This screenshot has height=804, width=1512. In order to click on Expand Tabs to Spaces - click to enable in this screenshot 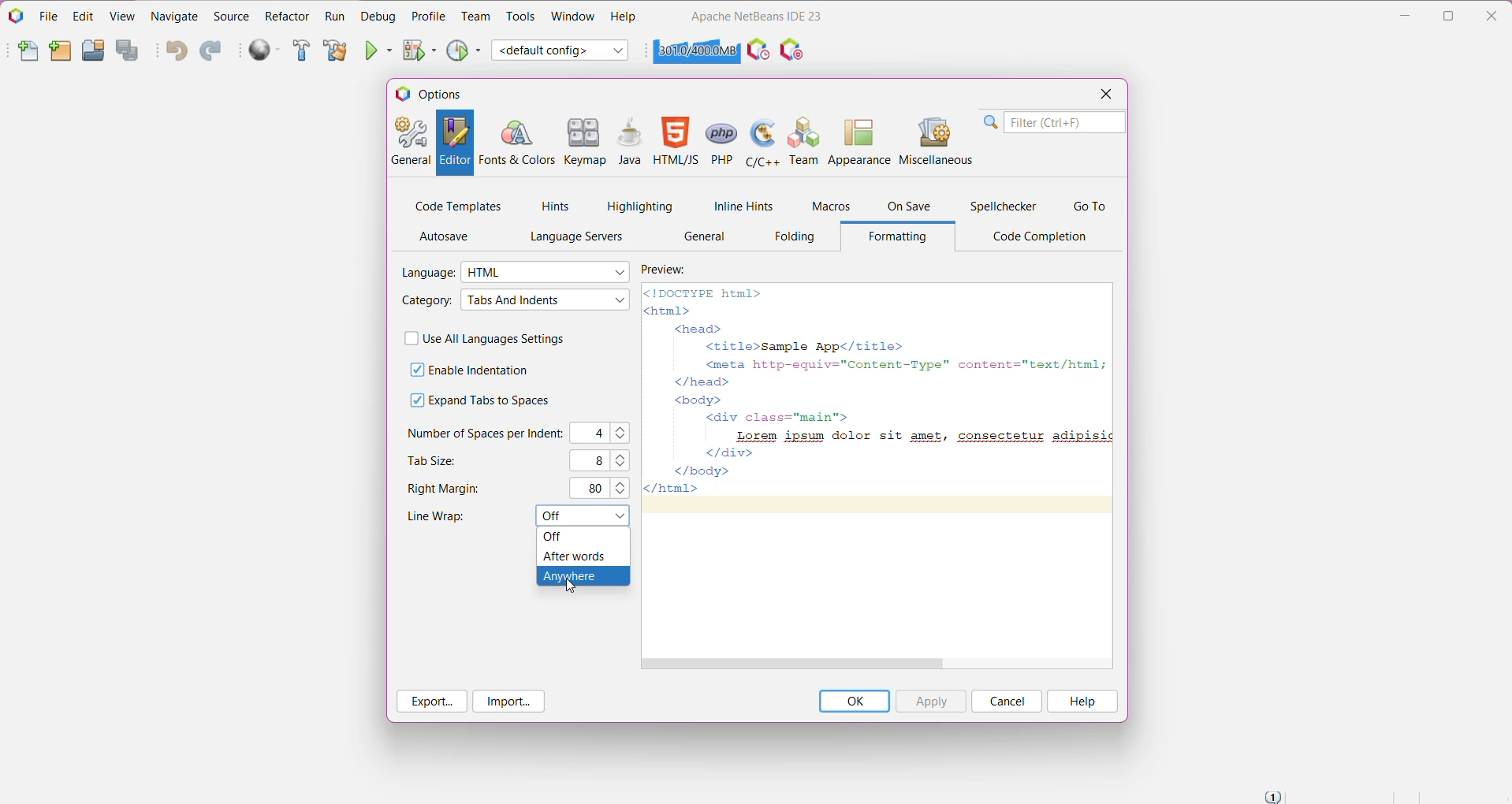, I will do `click(497, 401)`.